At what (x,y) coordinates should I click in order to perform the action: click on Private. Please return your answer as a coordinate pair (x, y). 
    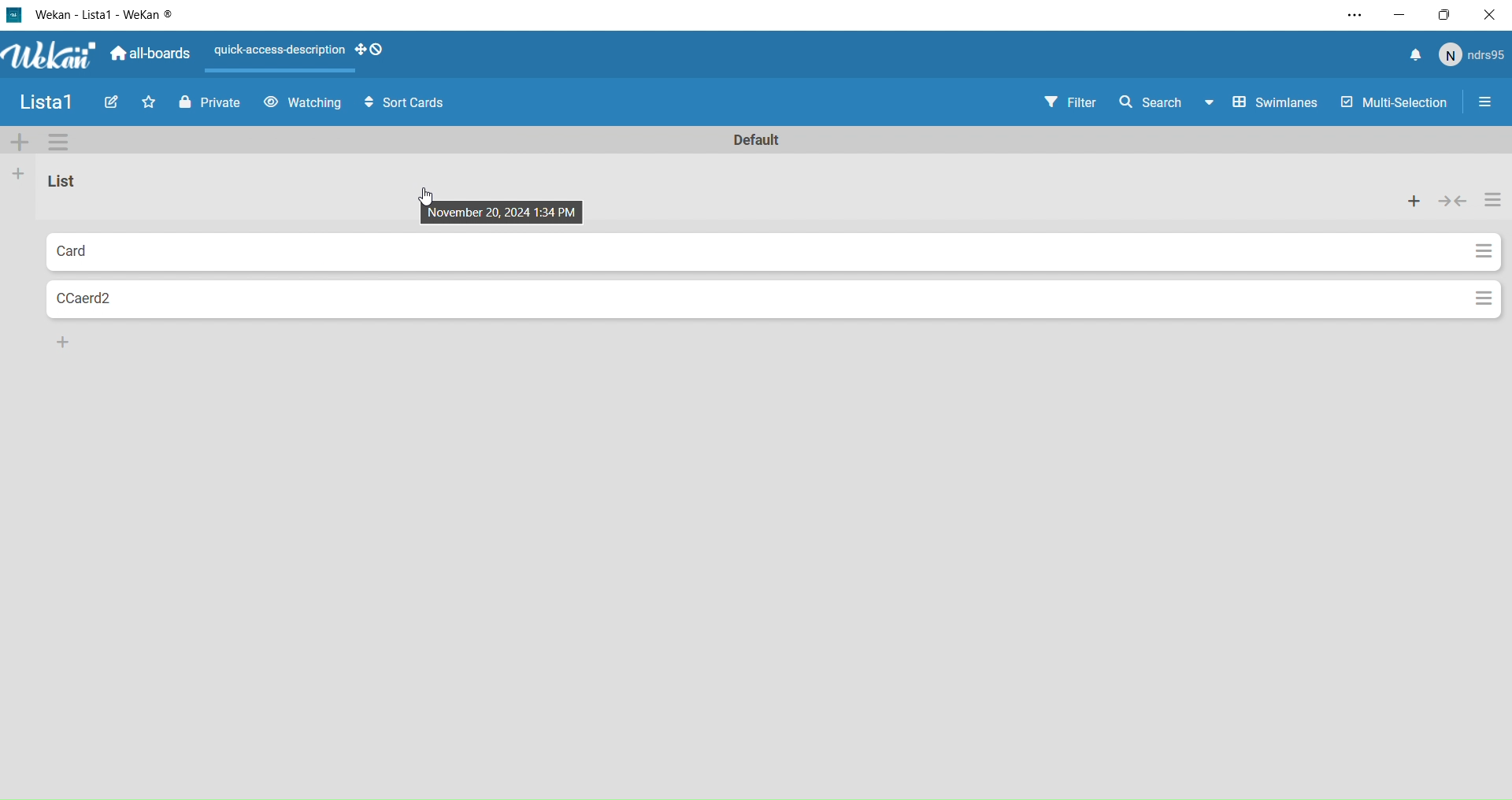
    Looking at the image, I should click on (209, 104).